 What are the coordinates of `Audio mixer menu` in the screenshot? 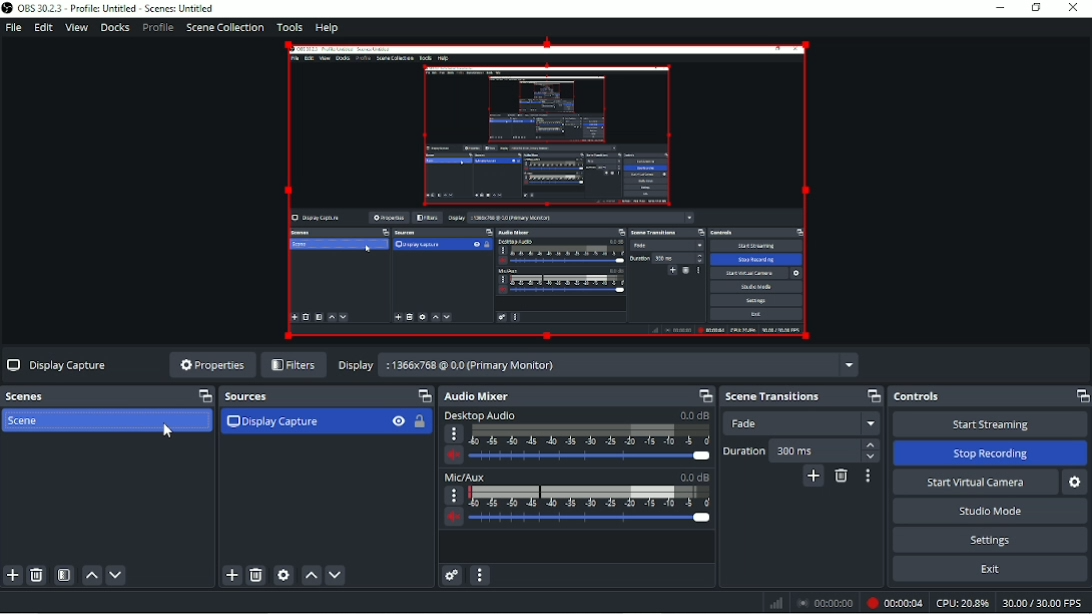 It's located at (481, 575).